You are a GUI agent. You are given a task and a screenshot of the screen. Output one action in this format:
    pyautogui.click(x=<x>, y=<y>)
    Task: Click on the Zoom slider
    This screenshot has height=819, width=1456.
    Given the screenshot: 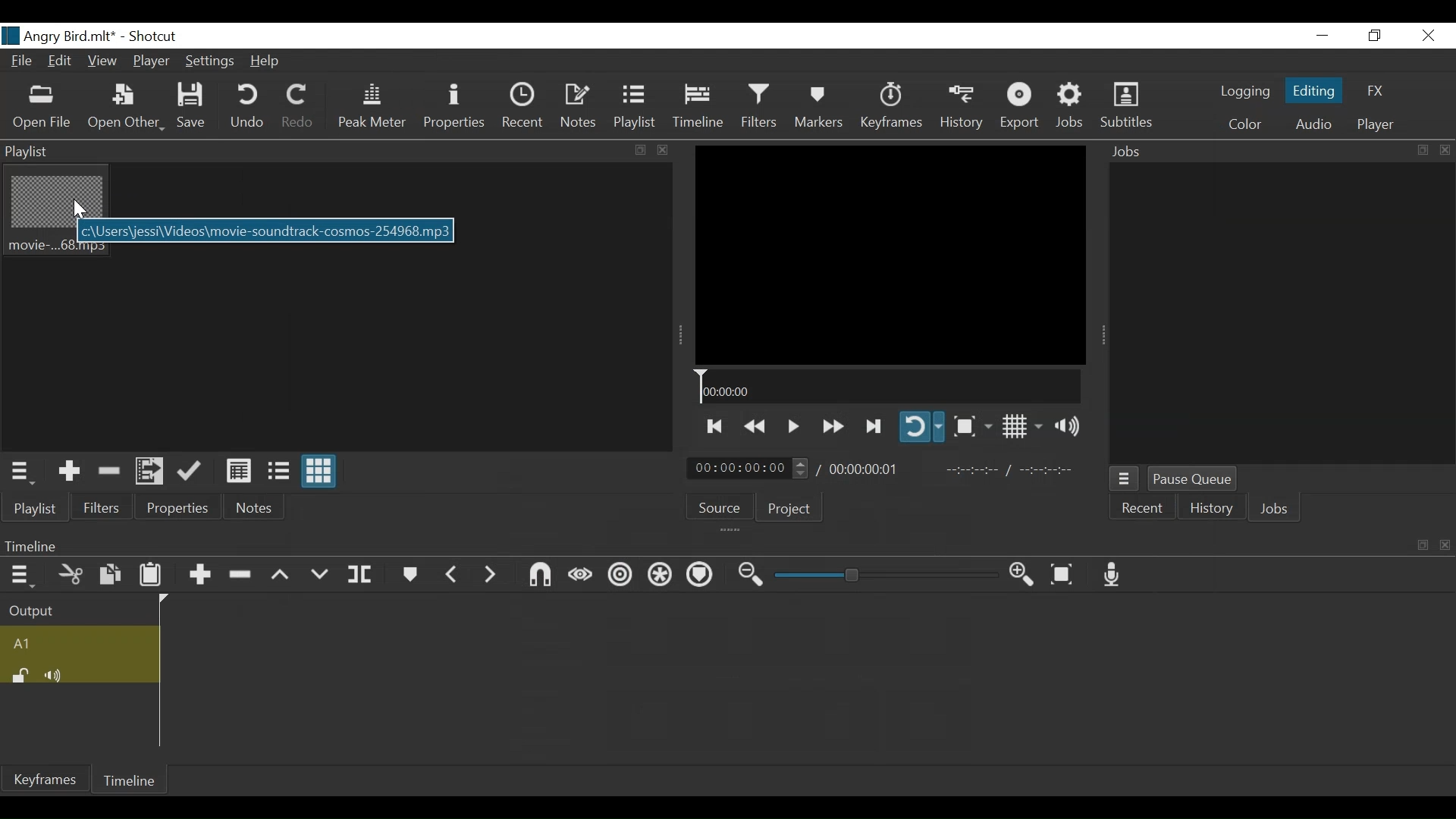 What is the action you would take?
    pyautogui.click(x=881, y=576)
    